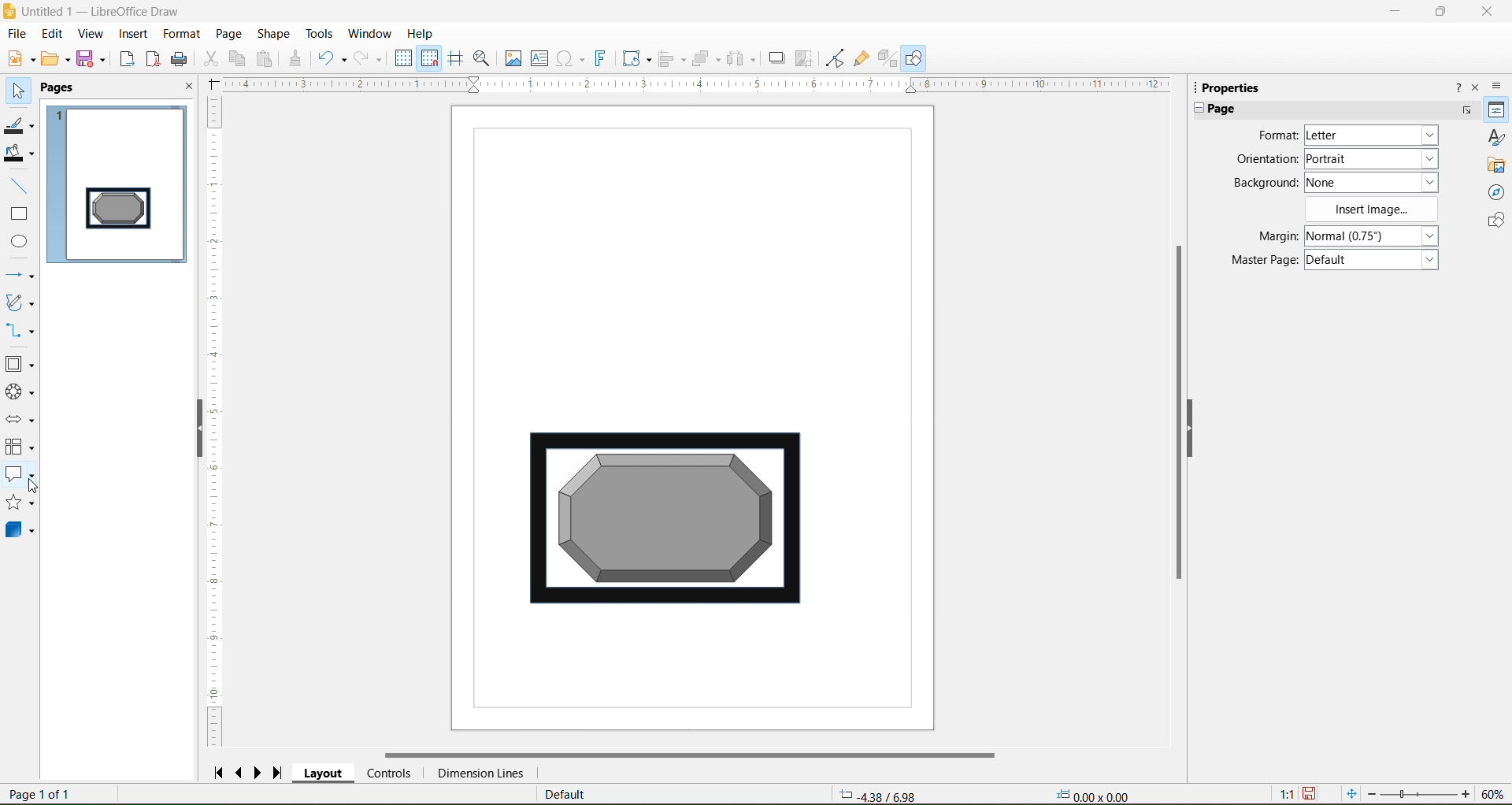 The image size is (1512, 805). What do you see at coordinates (20, 214) in the screenshot?
I see `Rectangle` at bounding box center [20, 214].